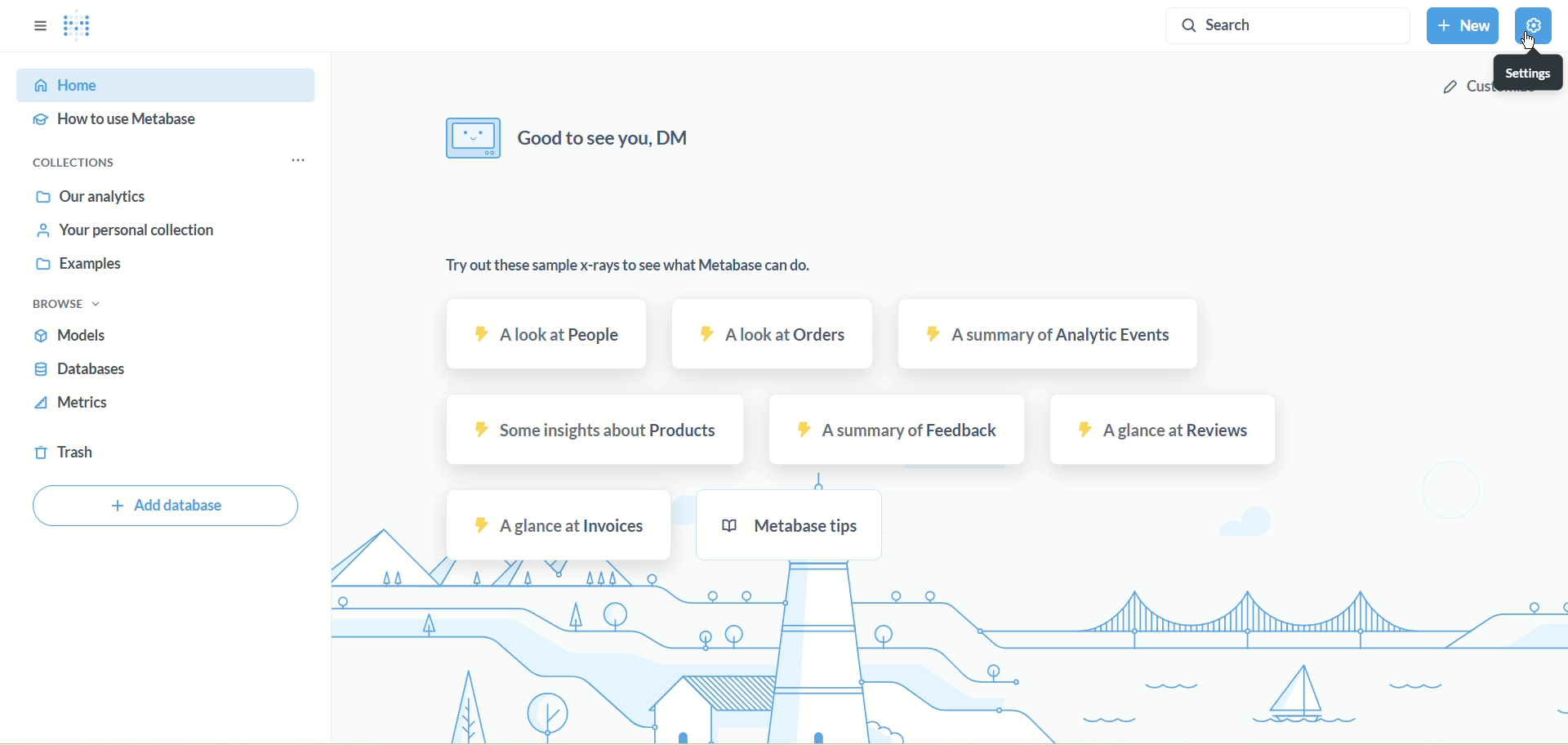 This screenshot has width=1568, height=745. Describe the element at coordinates (81, 265) in the screenshot. I see `examples` at that location.